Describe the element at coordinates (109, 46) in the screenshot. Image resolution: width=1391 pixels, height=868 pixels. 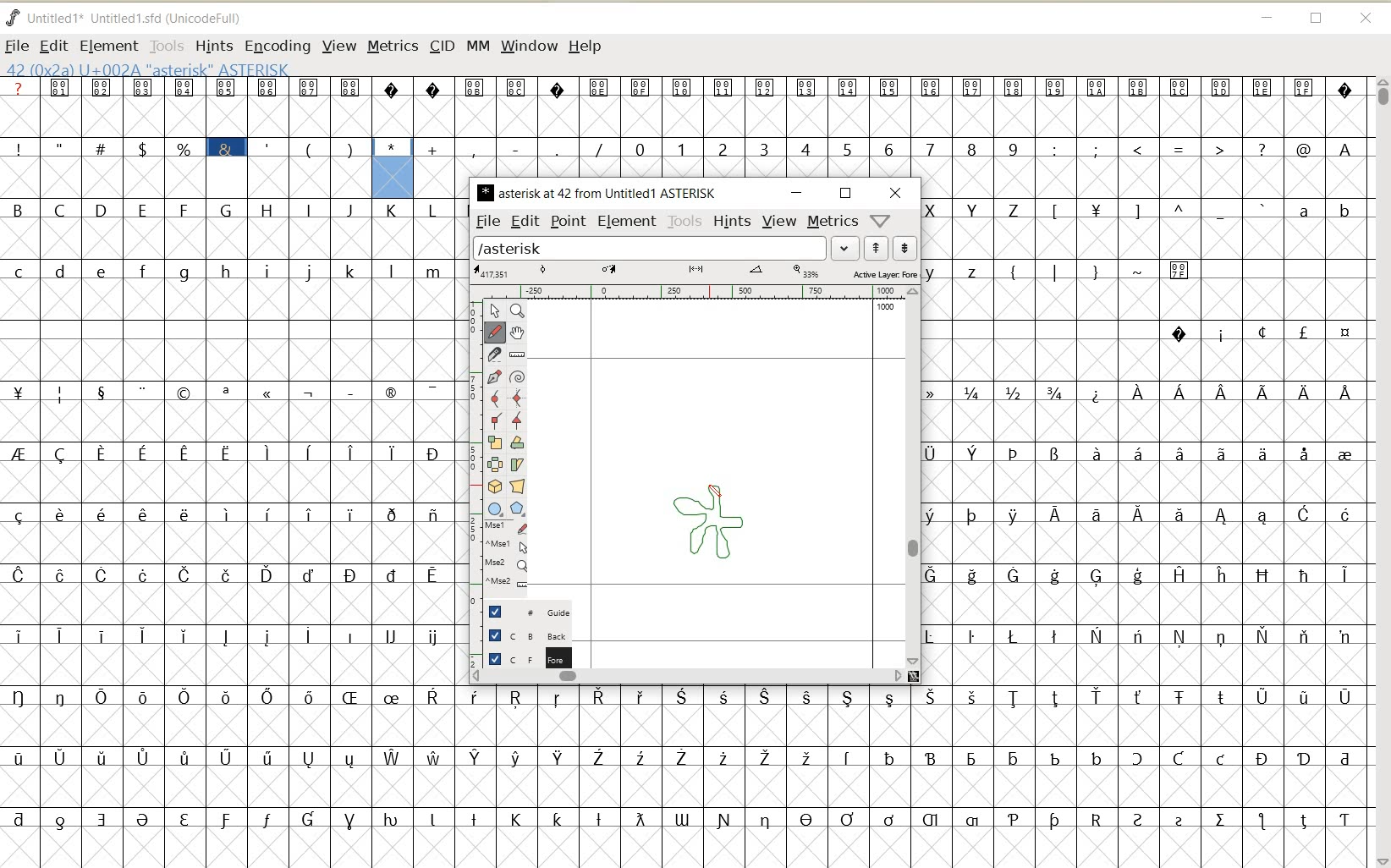
I see `ELEMENT` at that location.